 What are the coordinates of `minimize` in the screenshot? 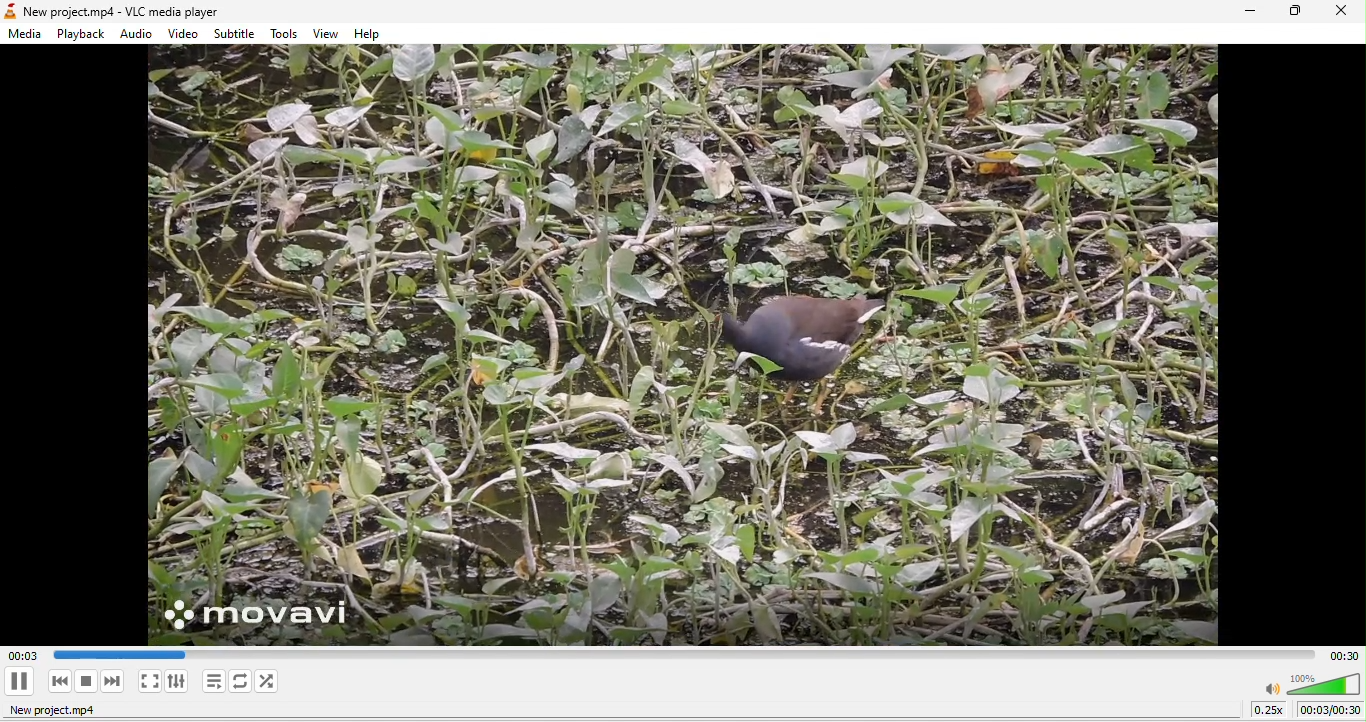 It's located at (1241, 12).